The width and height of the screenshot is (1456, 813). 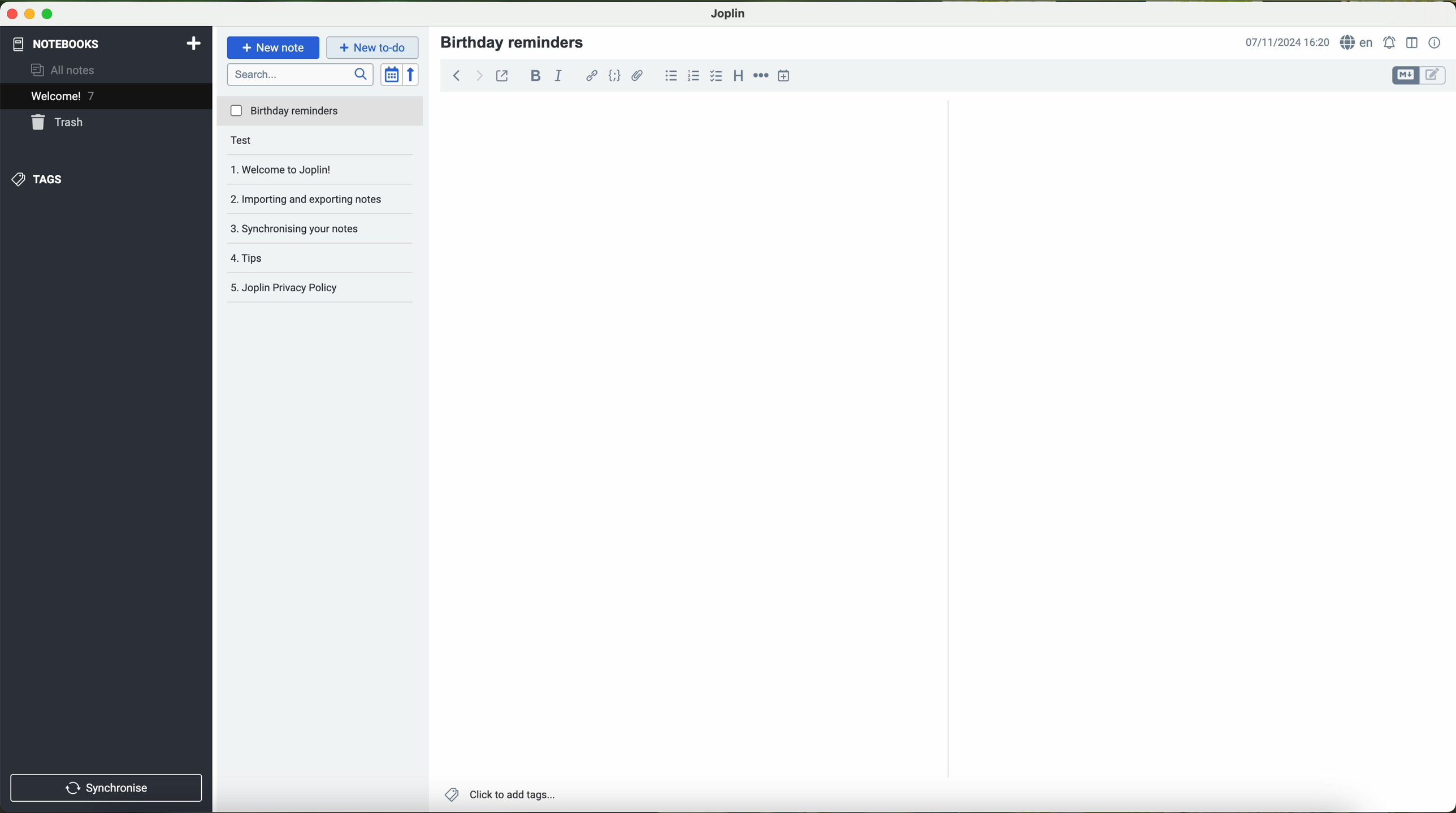 I want to click on toggle editors, so click(x=1420, y=76).